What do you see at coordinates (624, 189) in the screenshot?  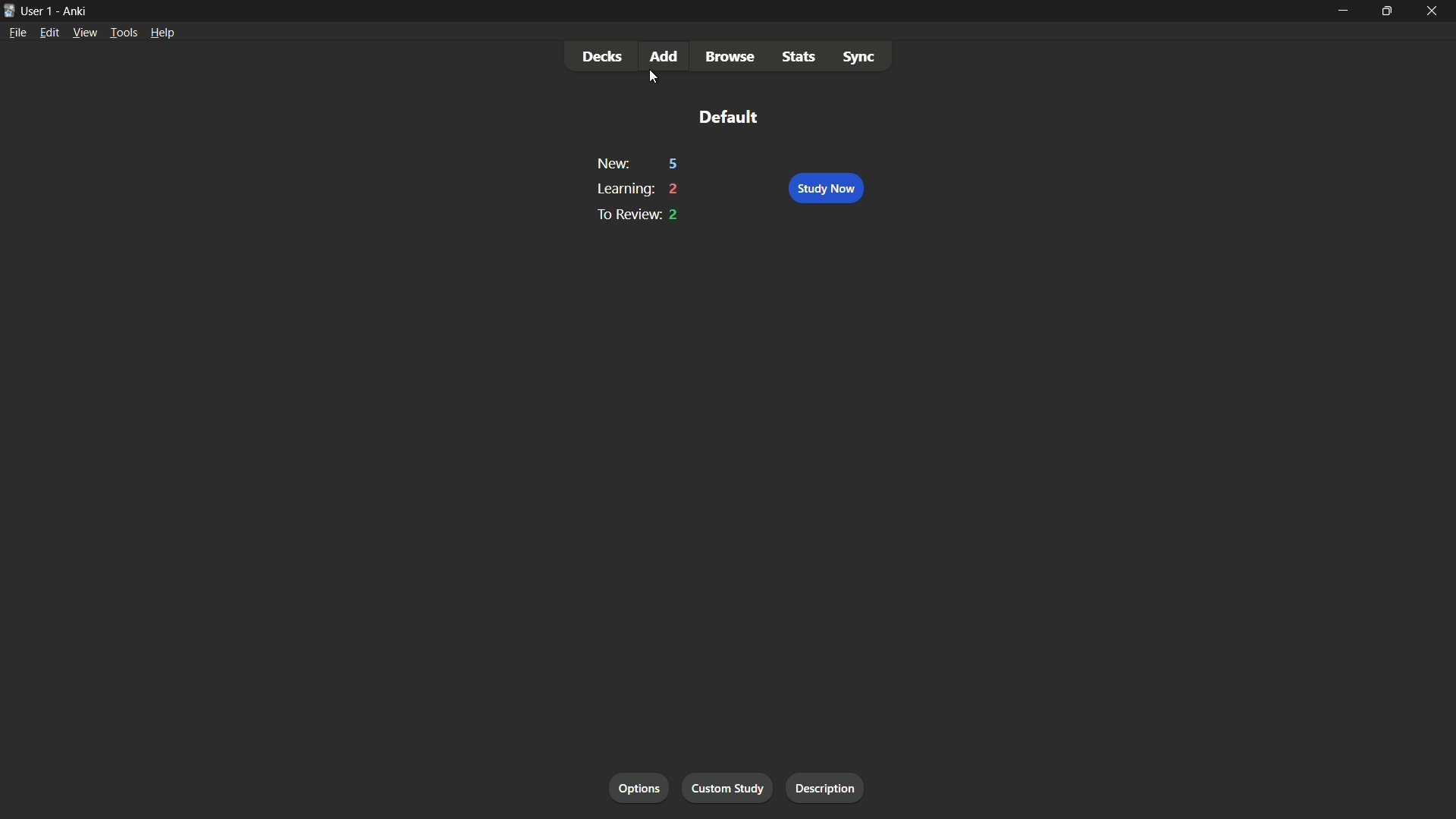 I see `learning` at bounding box center [624, 189].